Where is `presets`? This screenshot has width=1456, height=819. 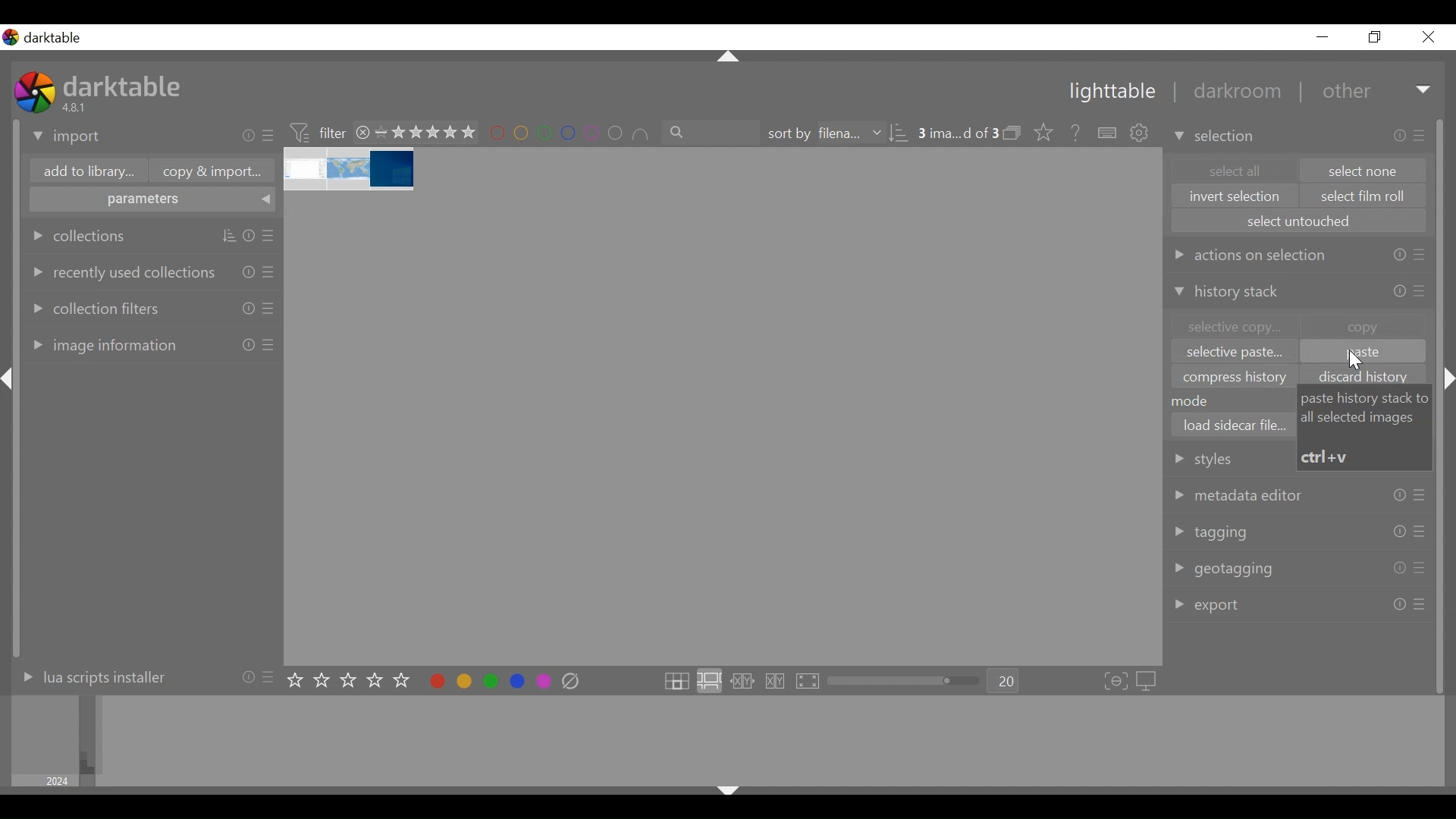 presets is located at coordinates (271, 237).